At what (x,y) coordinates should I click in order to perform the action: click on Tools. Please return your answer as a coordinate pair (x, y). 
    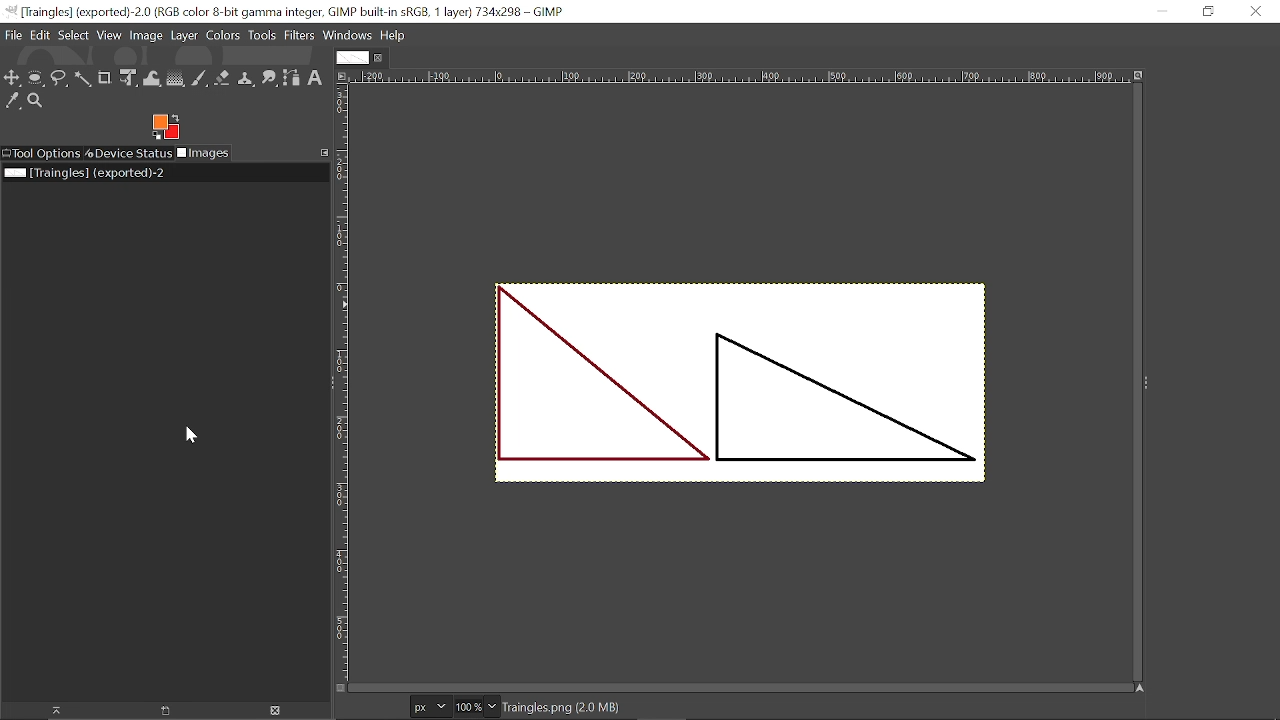
    Looking at the image, I should click on (263, 36).